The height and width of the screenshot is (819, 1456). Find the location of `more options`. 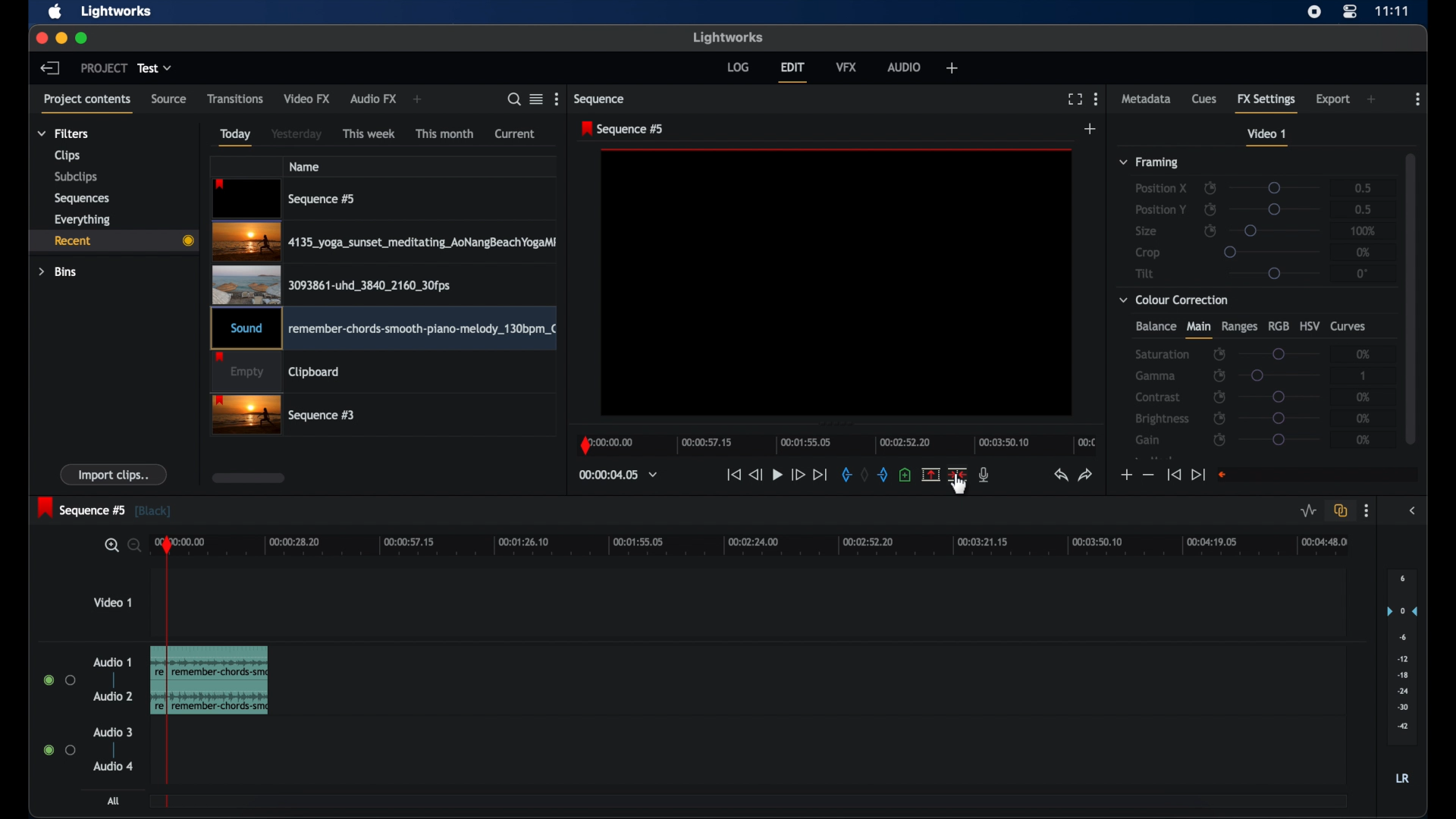

more options is located at coordinates (558, 99).